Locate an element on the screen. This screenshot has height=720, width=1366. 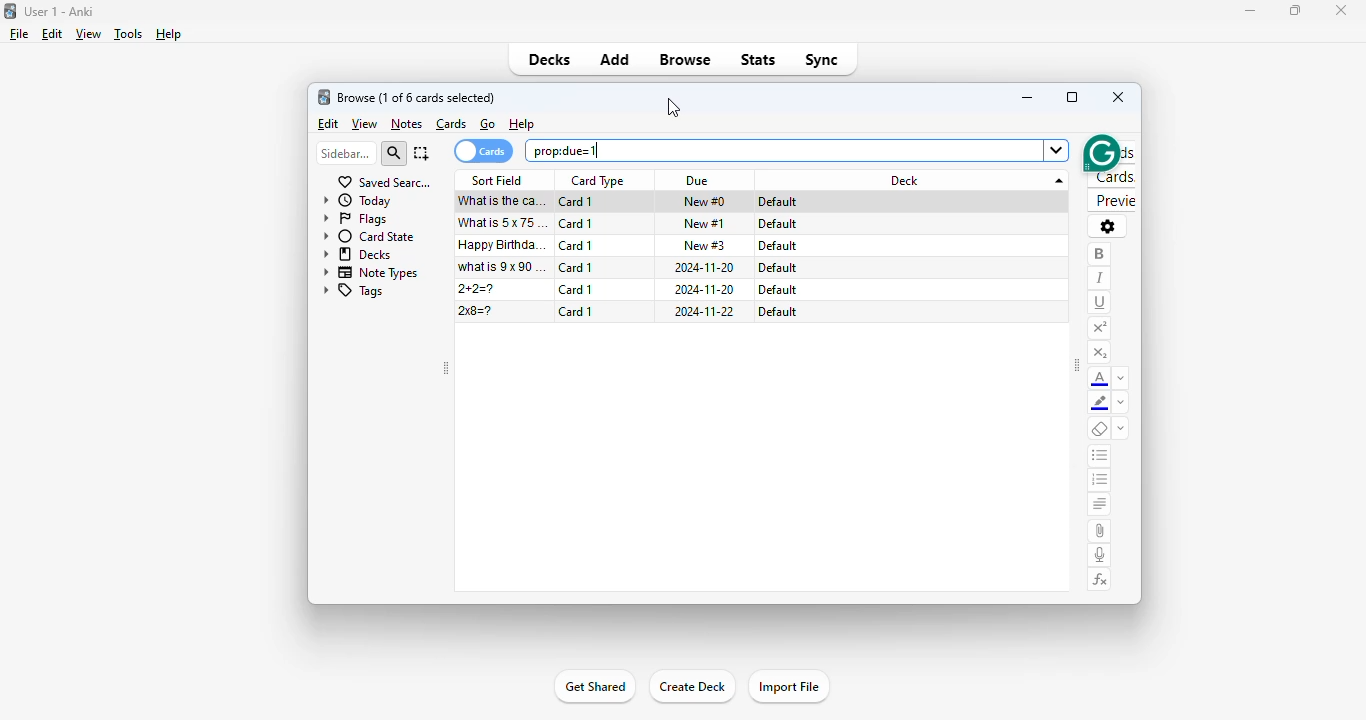
italic is located at coordinates (1100, 279).